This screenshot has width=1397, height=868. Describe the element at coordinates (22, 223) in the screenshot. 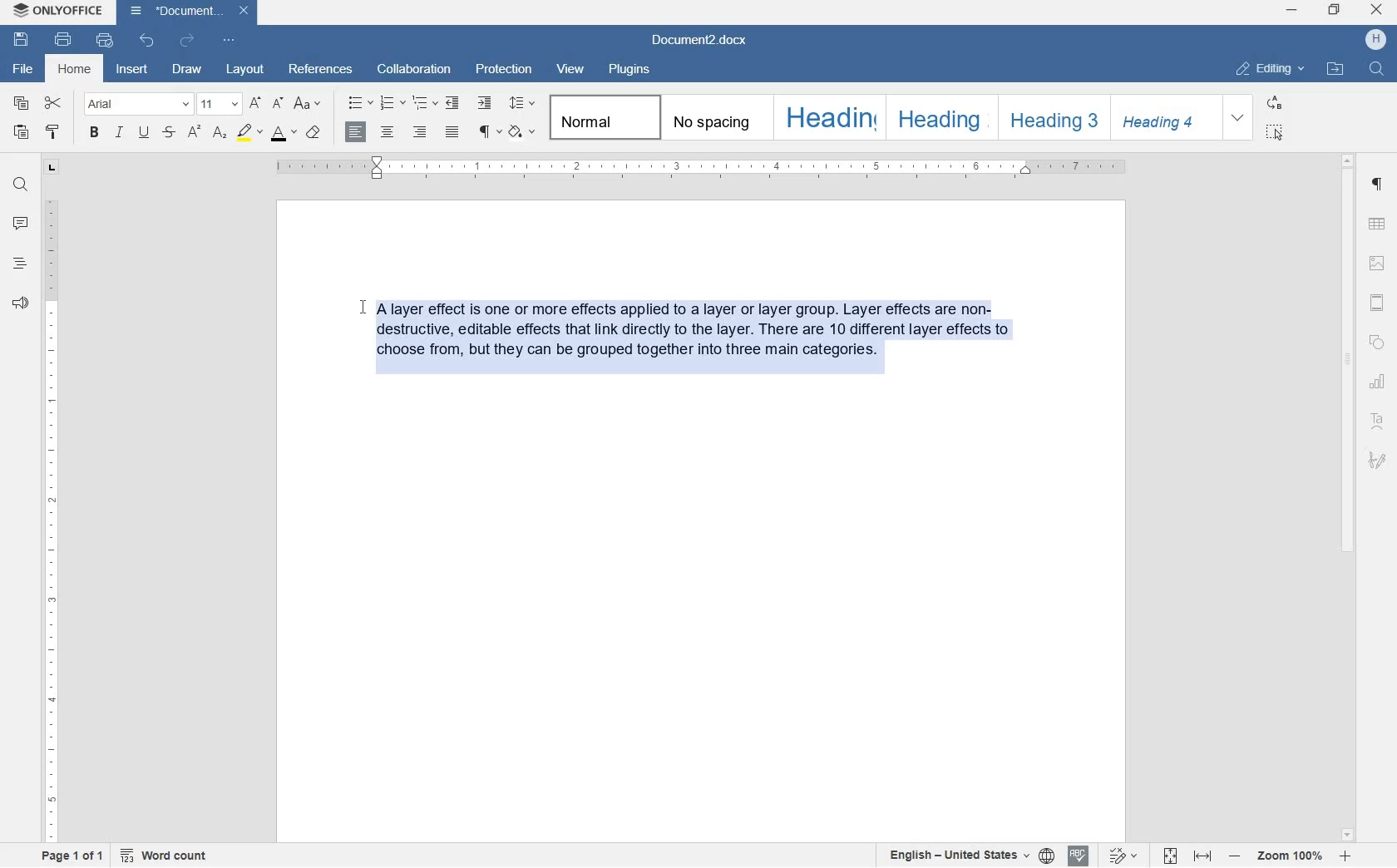

I see `comment` at that location.